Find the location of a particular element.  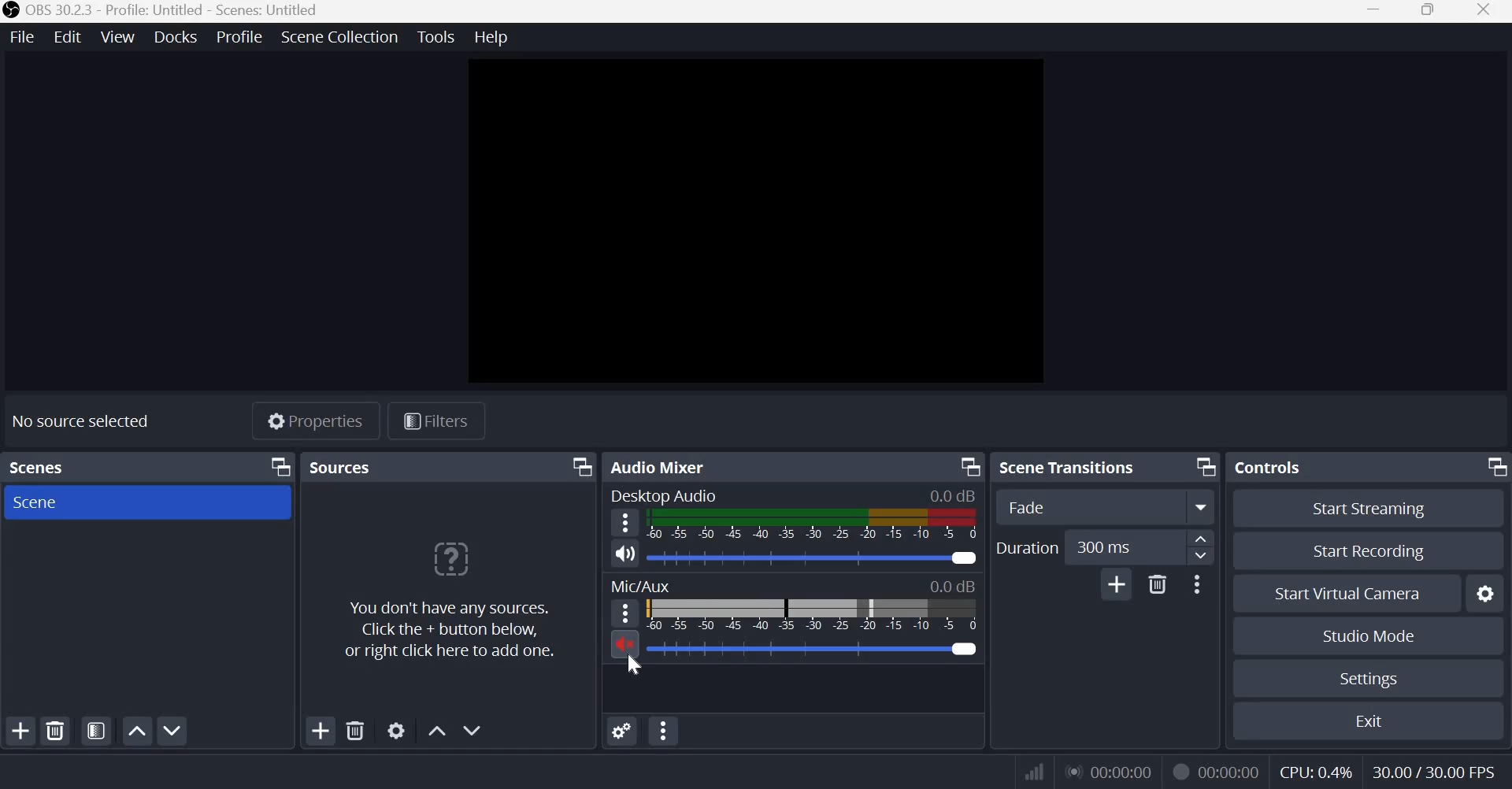

View is located at coordinates (119, 38).